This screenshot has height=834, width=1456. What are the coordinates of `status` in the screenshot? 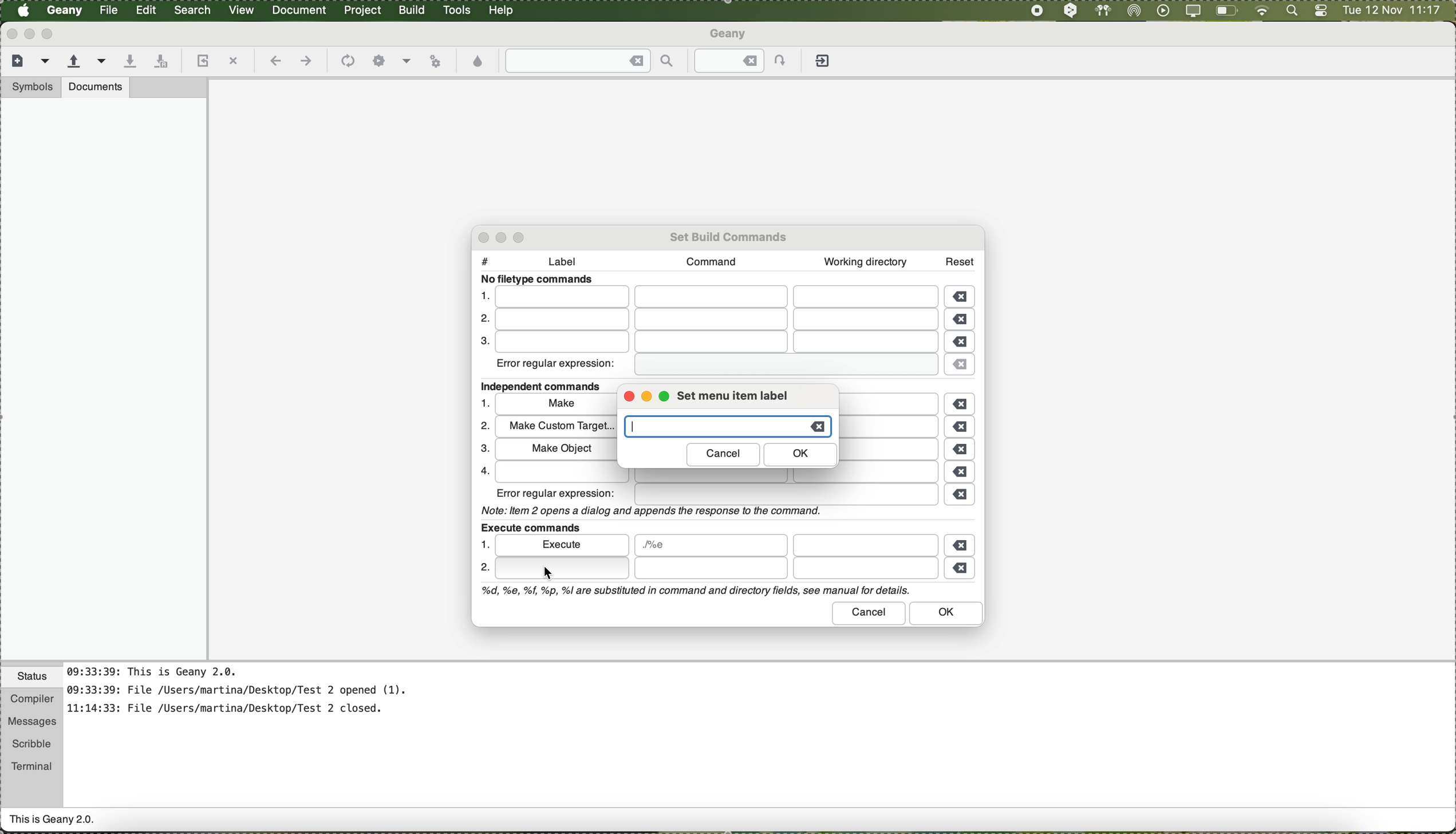 It's located at (32, 678).